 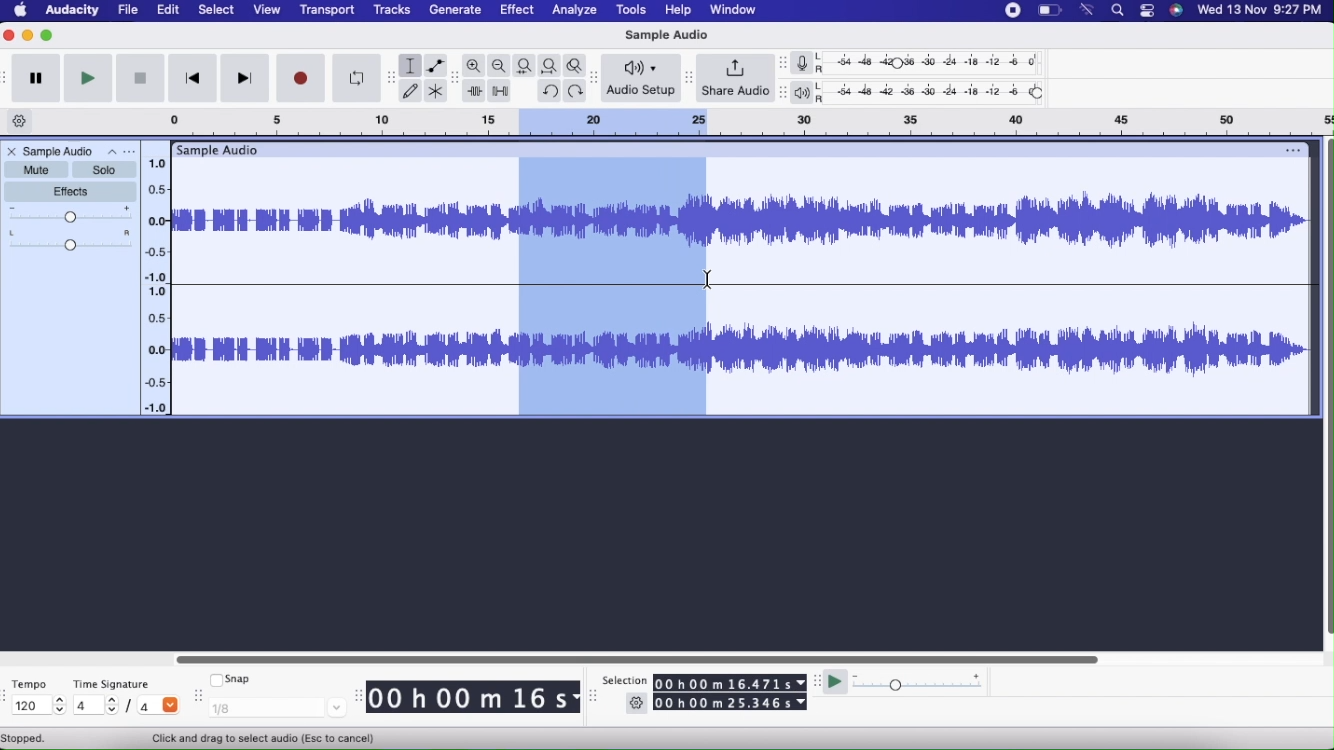 I want to click on Stopped, so click(x=24, y=739).